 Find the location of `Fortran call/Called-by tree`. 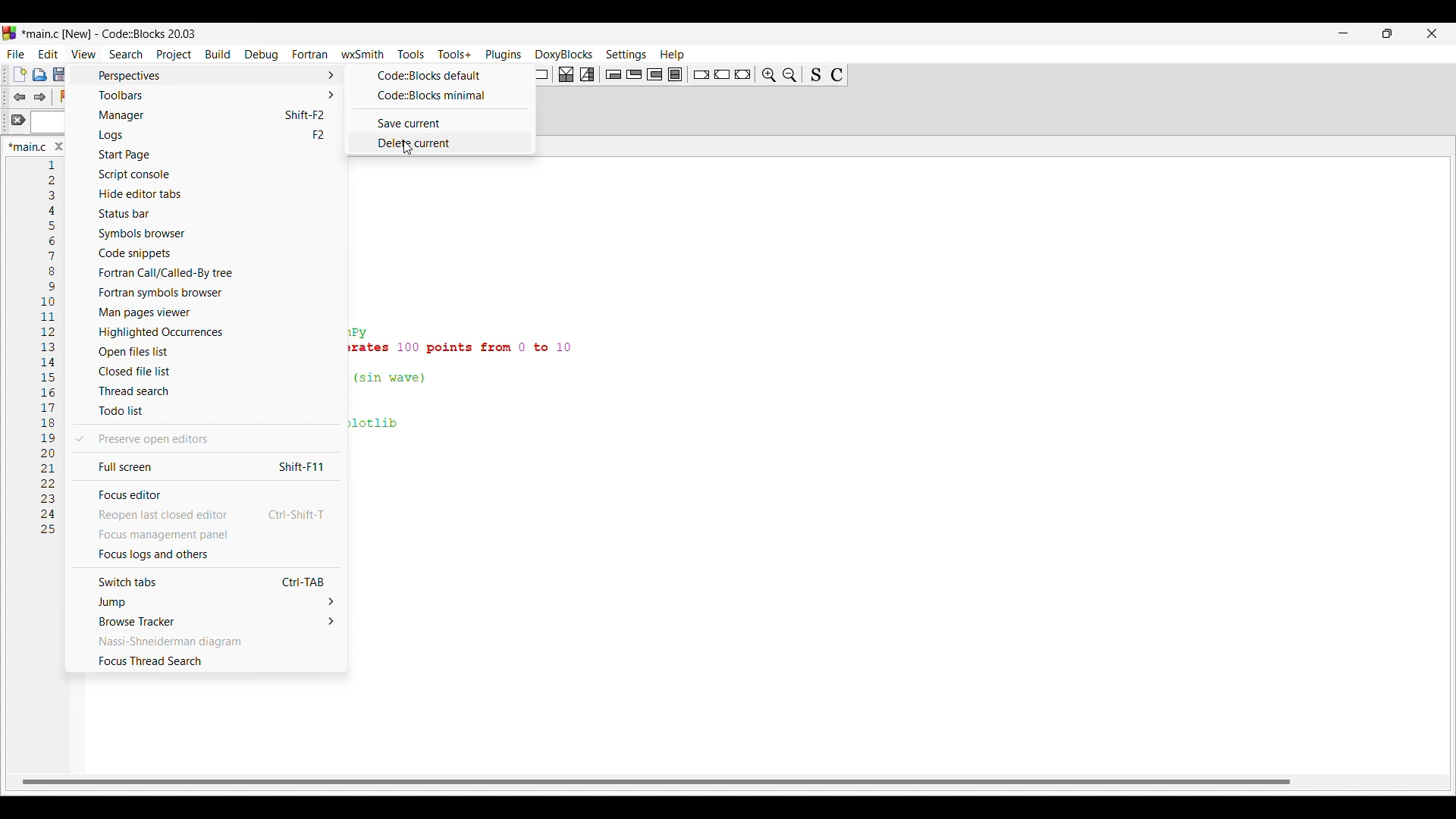

Fortran call/Called-by tree is located at coordinates (212, 272).